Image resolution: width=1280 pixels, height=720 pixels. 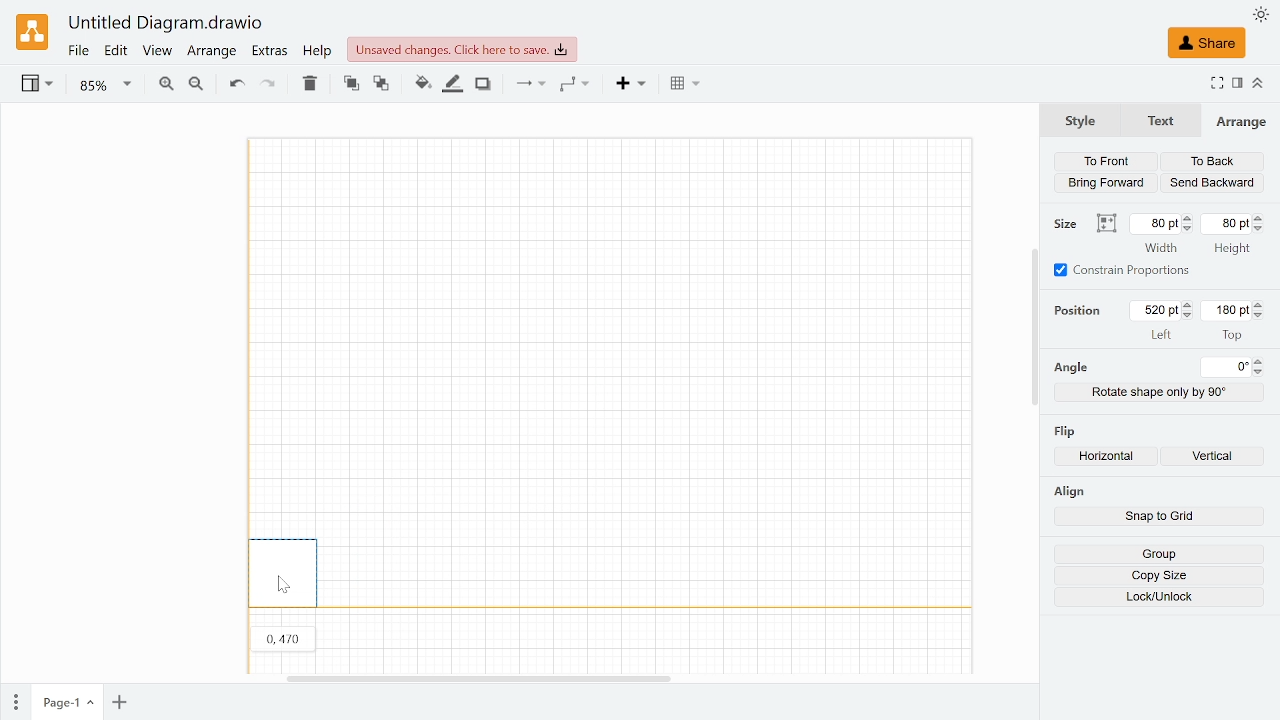 What do you see at coordinates (1260, 304) in the screenshot?
I see `Increase top` at bounding box center [1260, 304].